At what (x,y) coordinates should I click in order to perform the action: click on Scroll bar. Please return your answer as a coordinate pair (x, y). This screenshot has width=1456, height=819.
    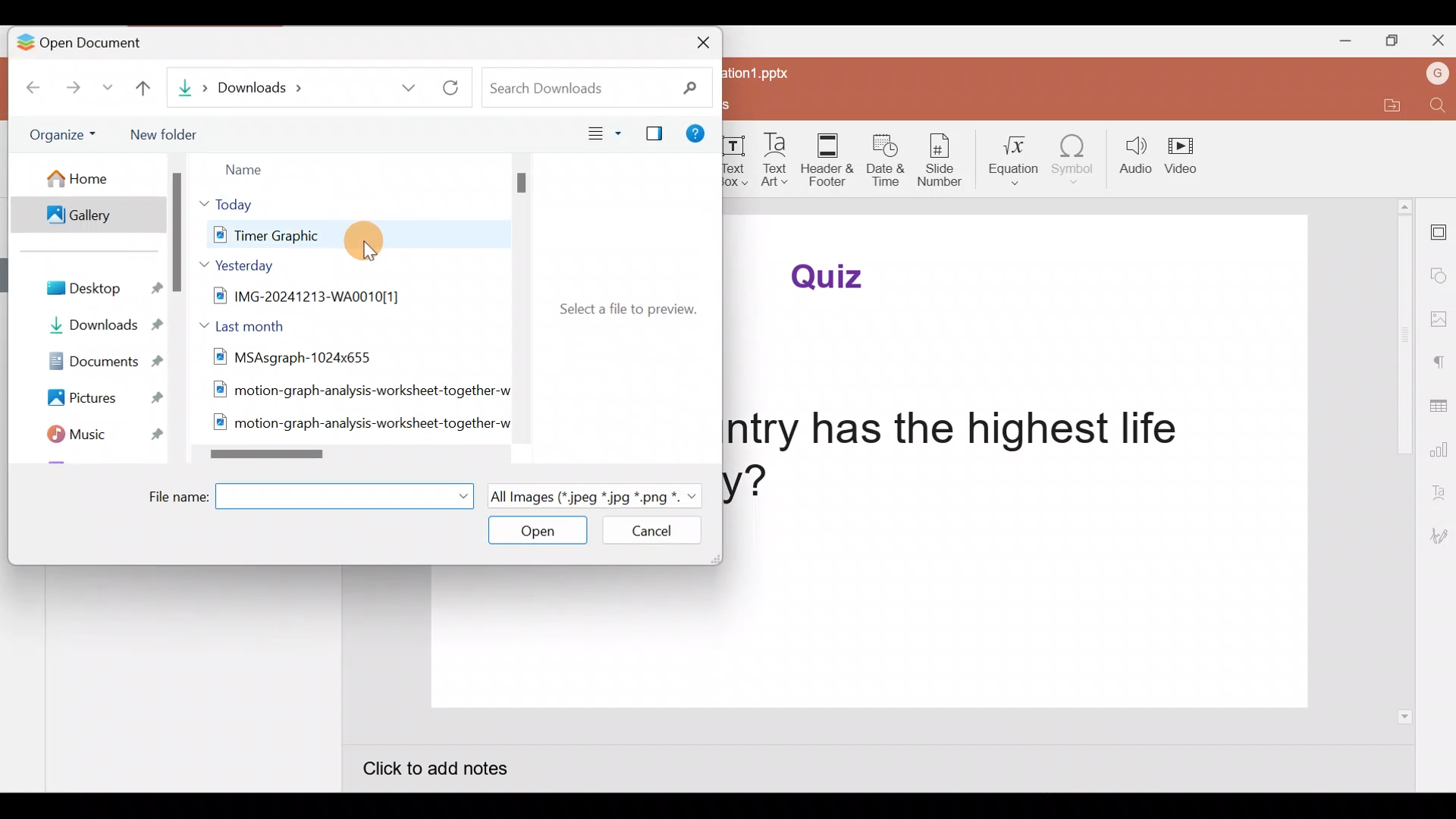
    Looking at the image, I should click on (176, 315).